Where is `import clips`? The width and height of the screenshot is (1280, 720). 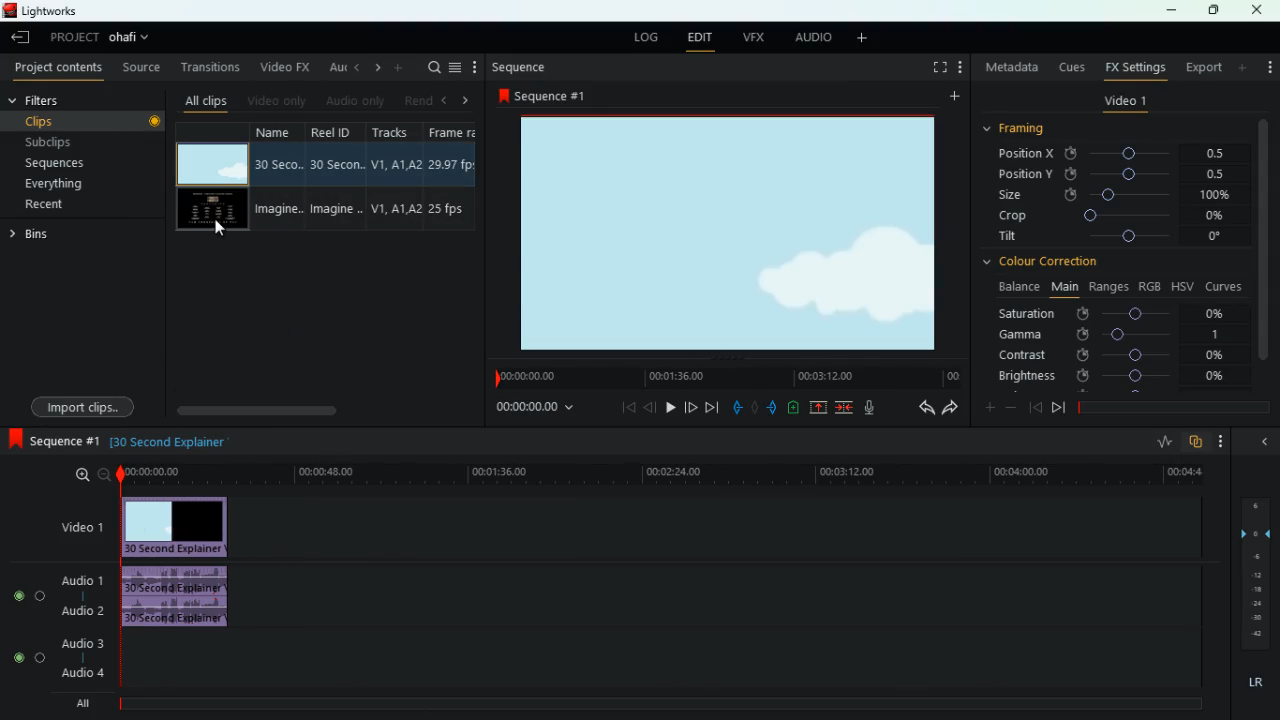
import clips is located at coordinates (86, 405).